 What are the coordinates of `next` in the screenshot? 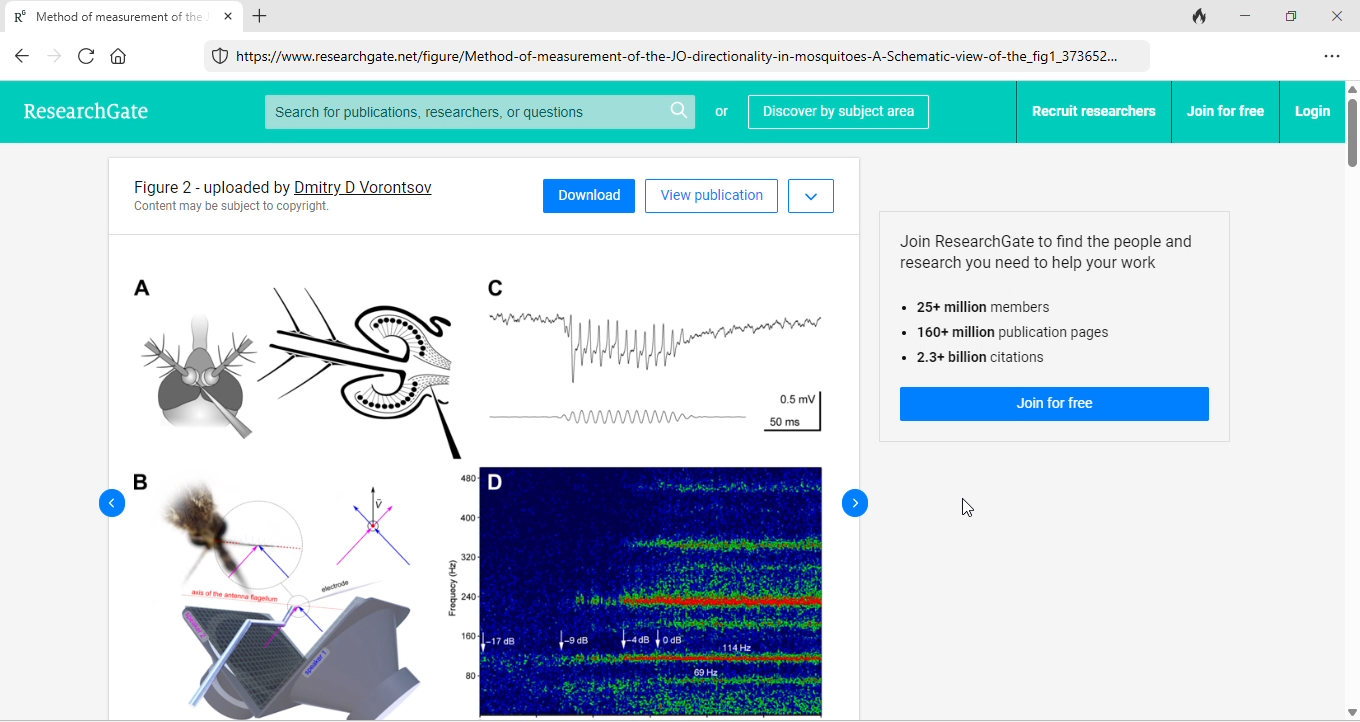 It's located at (856, 504).